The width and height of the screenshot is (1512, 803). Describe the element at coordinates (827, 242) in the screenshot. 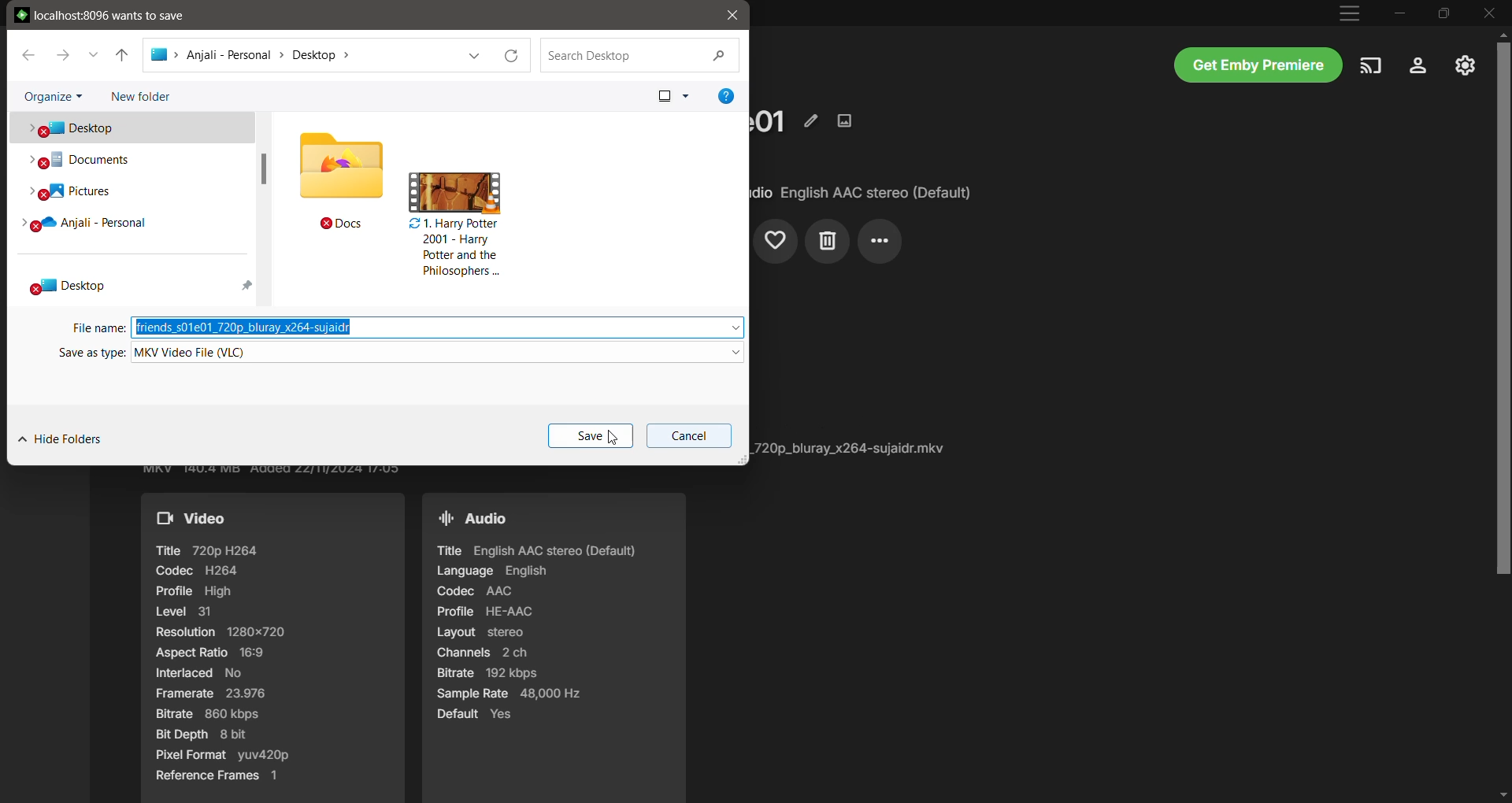

I see `Delete` at that location.